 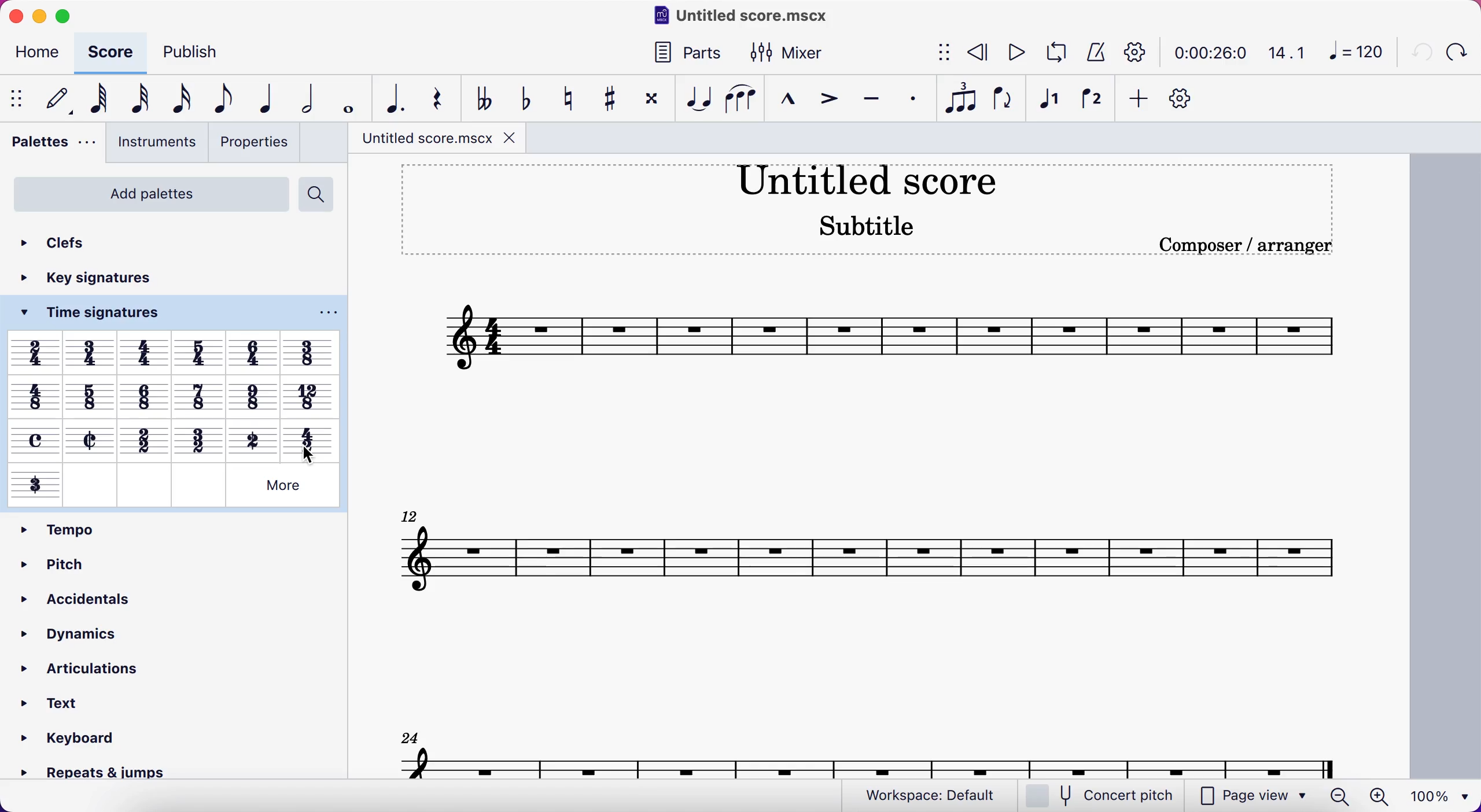 I want to click on , so click(x=34, y=396).